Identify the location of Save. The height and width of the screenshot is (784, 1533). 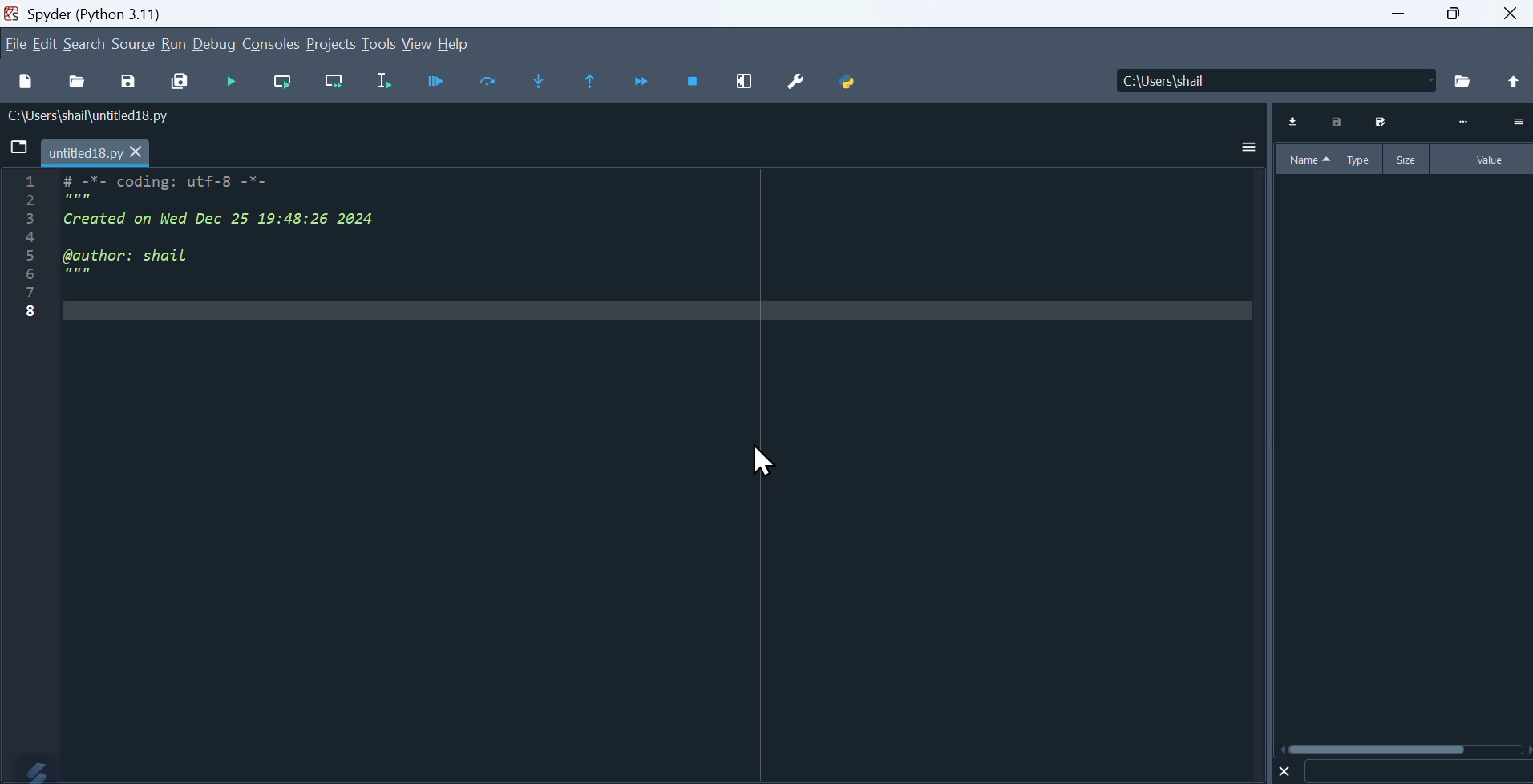
(1378, 122).